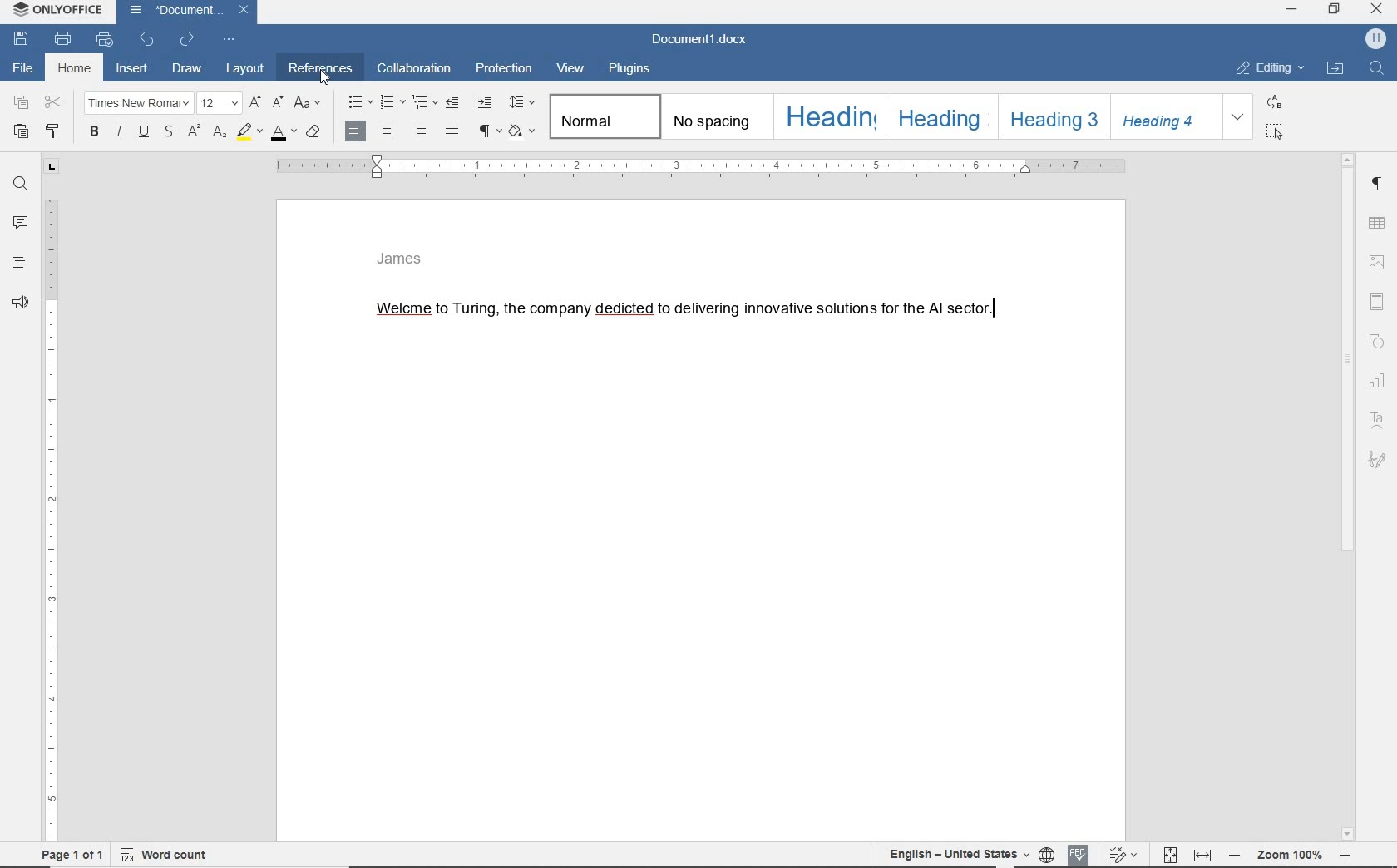 This screenshot has height=868, width=1397. Describe the element at coordinates (1171, 856) in the screenshot. I see `fit to page` at that location.